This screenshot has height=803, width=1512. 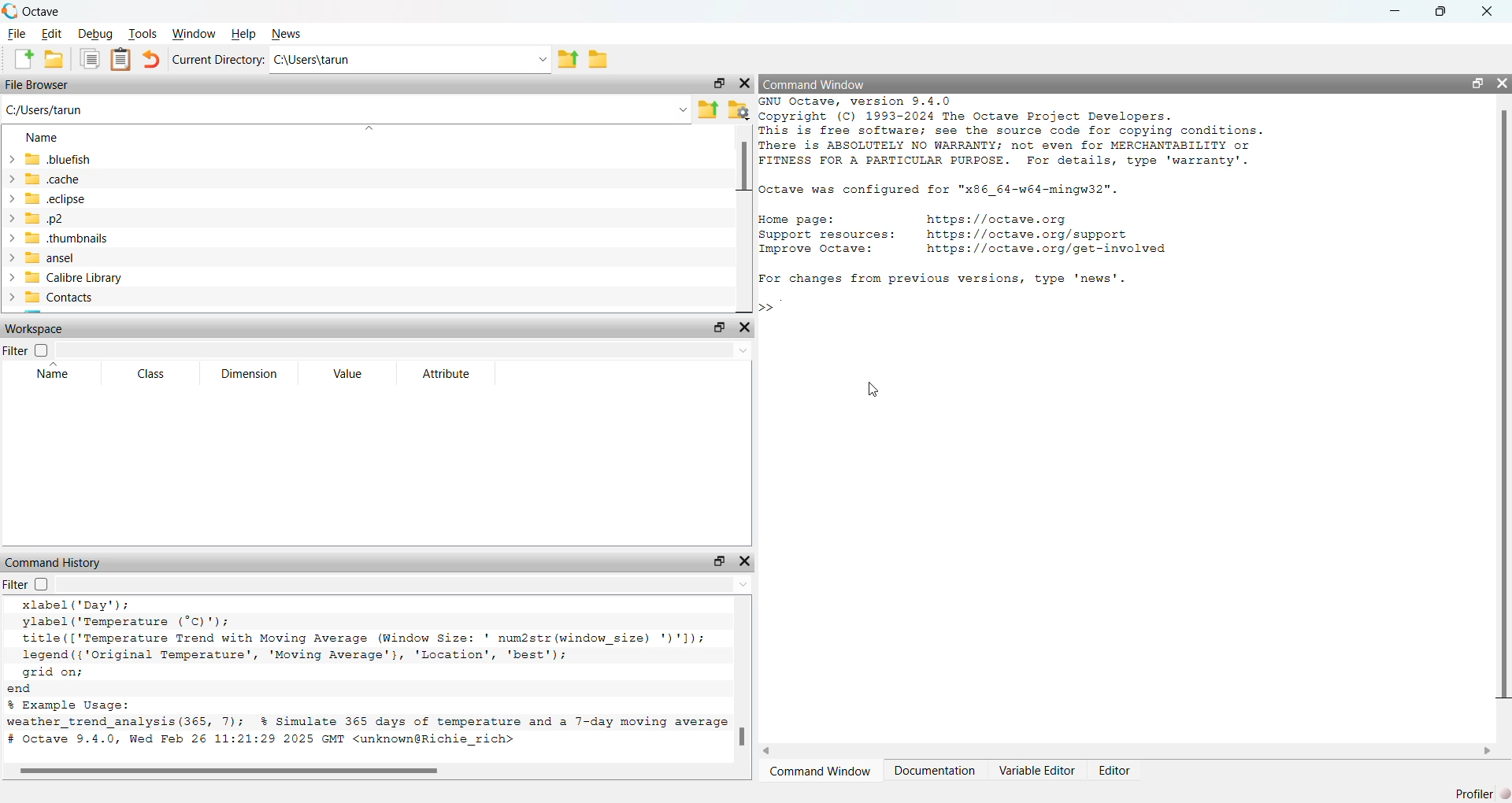 What do you see at coordinates (150, 61) in the screenshot?
I see `undo` at bounding box center [150, 61].